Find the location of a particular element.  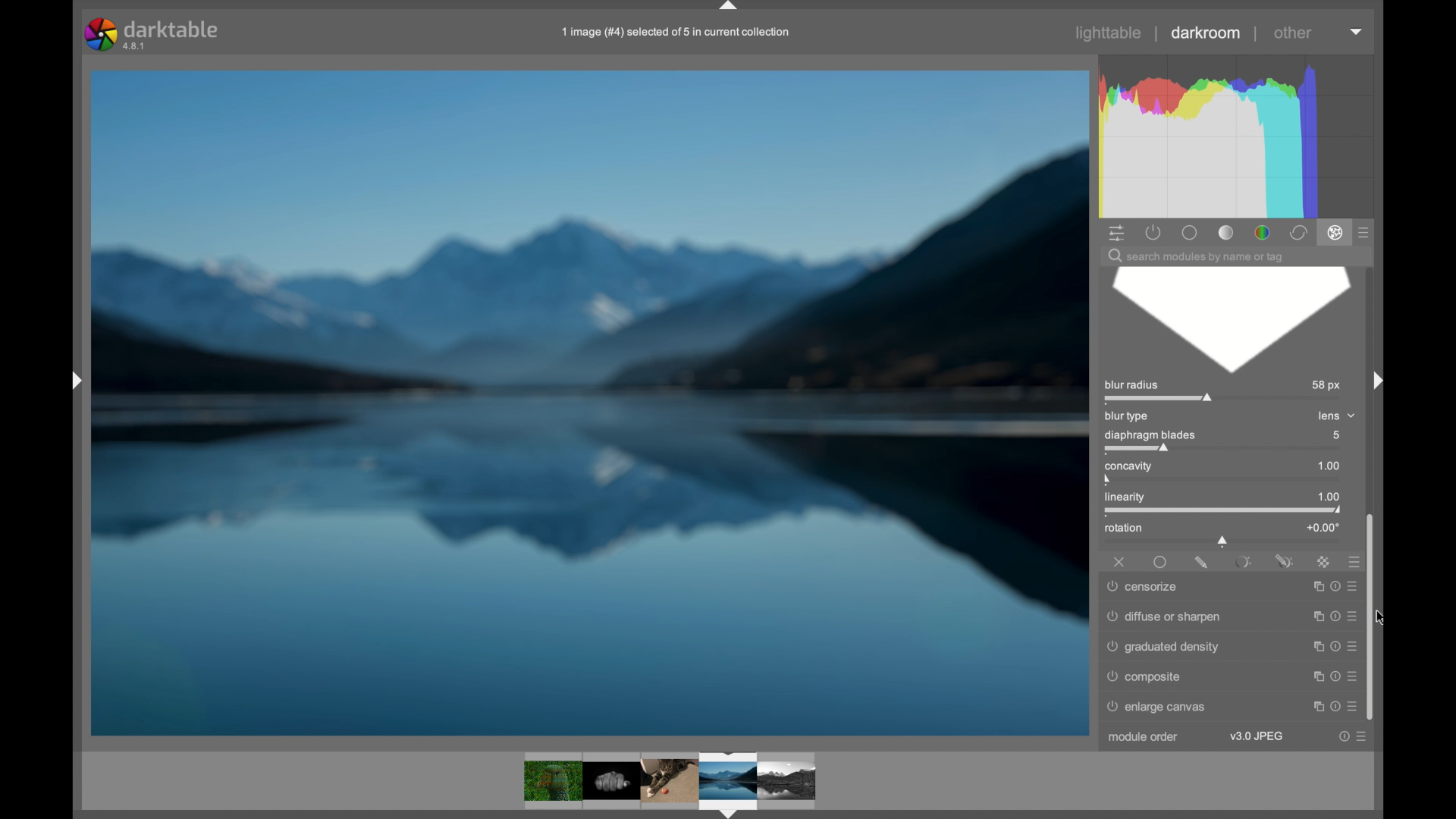

maximize is located at coordinates (1316, 585).